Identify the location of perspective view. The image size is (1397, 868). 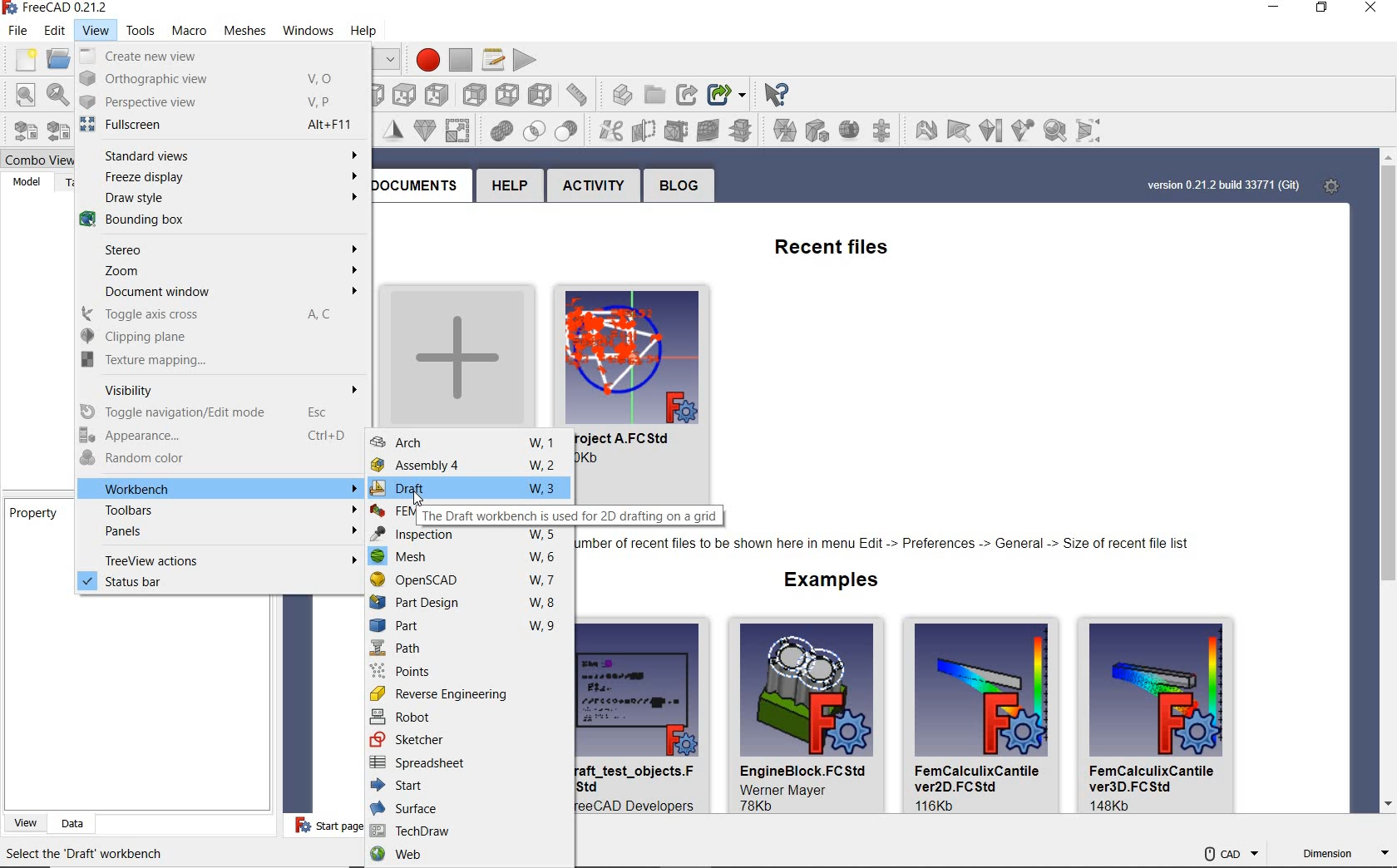
(212, 101).